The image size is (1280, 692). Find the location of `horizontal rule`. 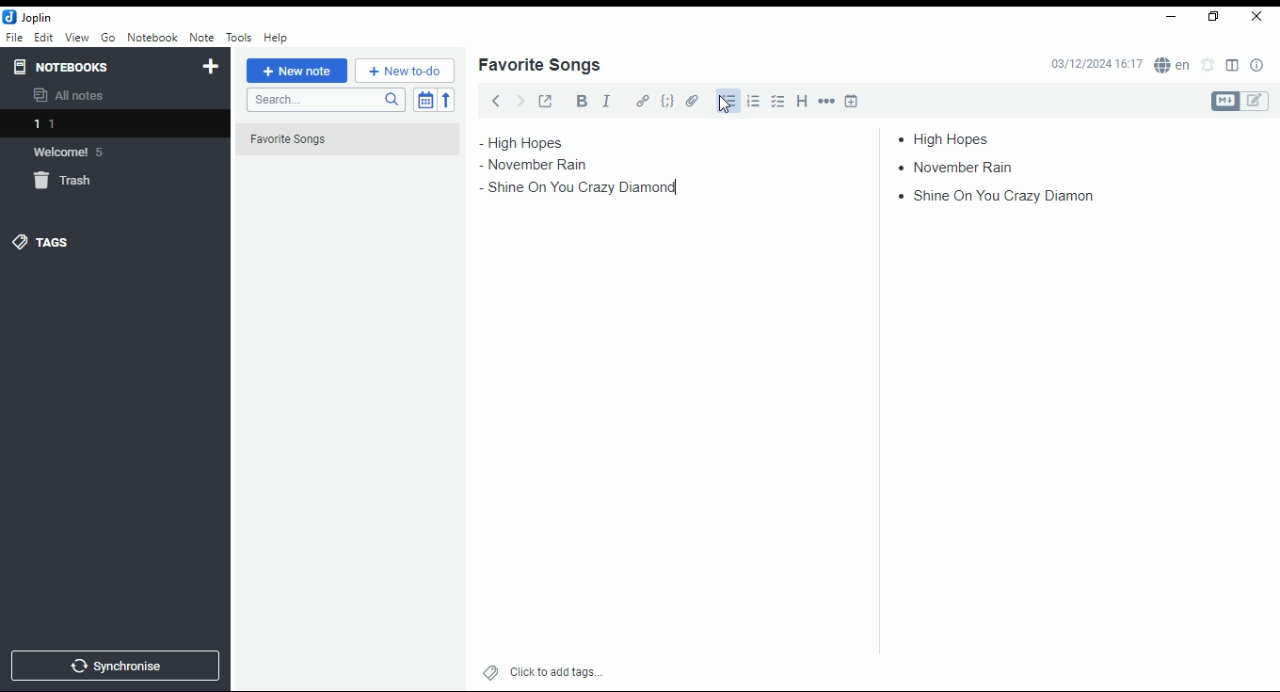

horizontal rule is located at coordinates (828, 100).